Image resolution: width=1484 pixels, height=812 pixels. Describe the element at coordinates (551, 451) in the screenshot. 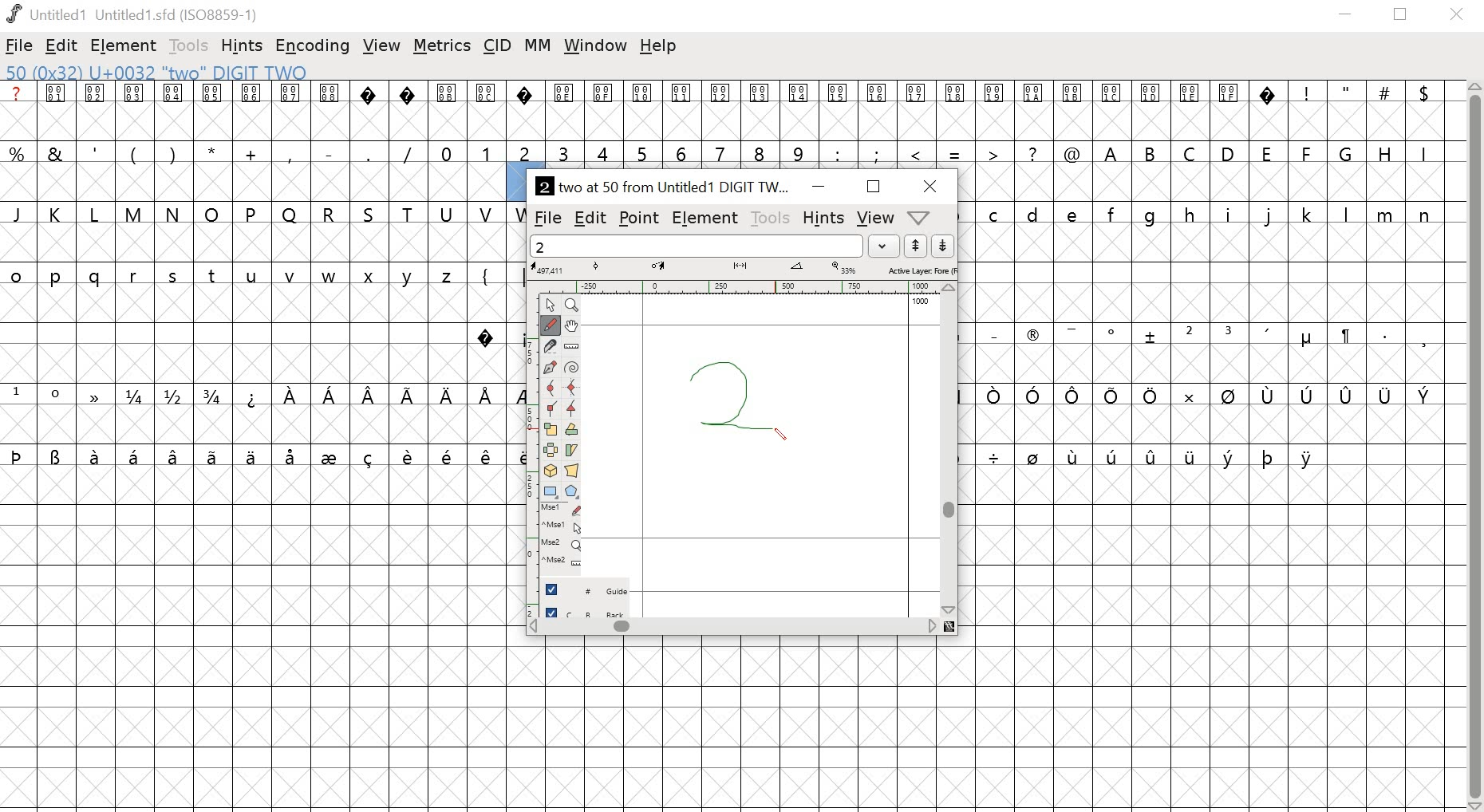

I see `flip` at that location.